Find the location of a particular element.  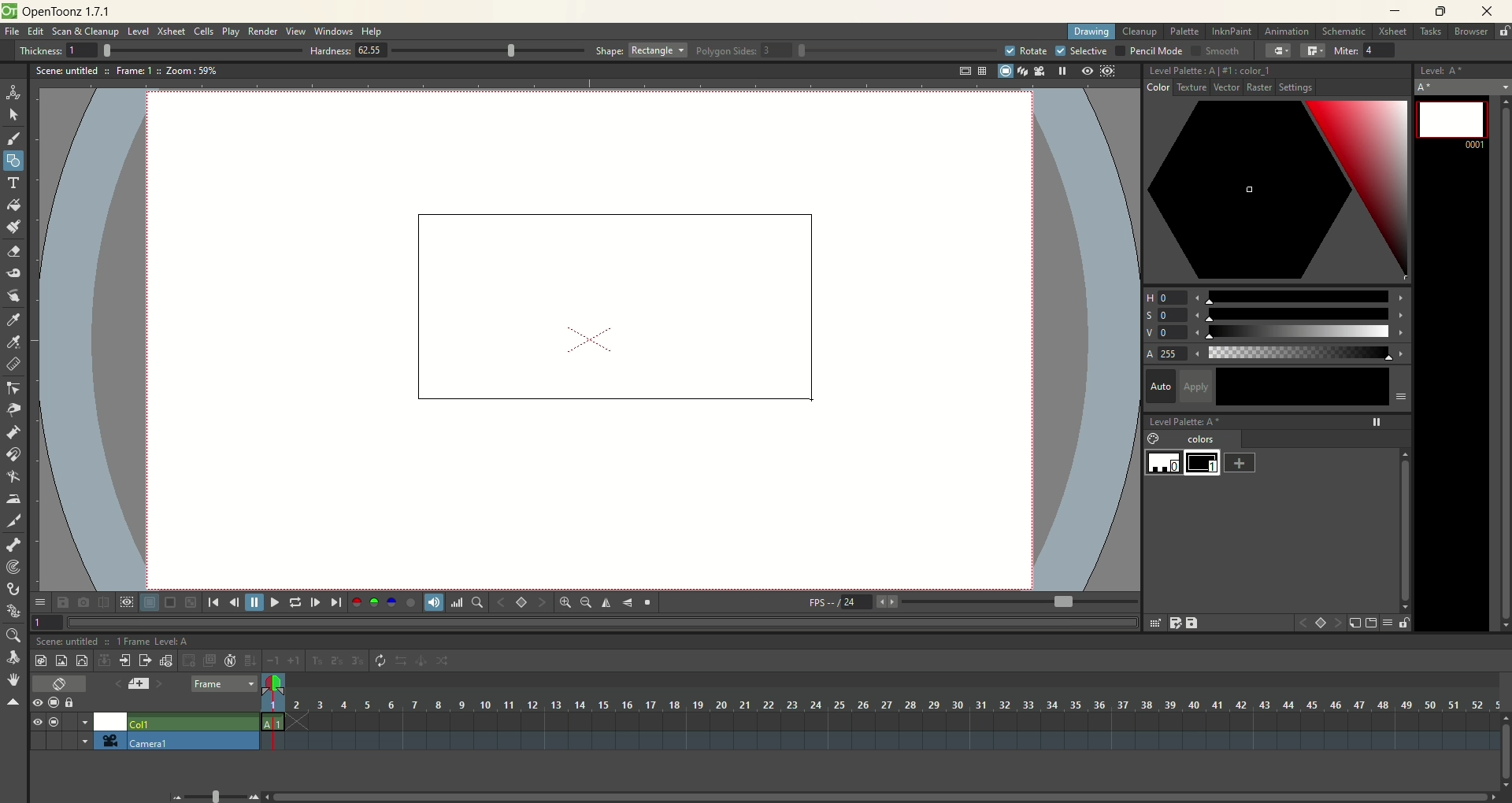

pump  is located at coordinates (13, 431).